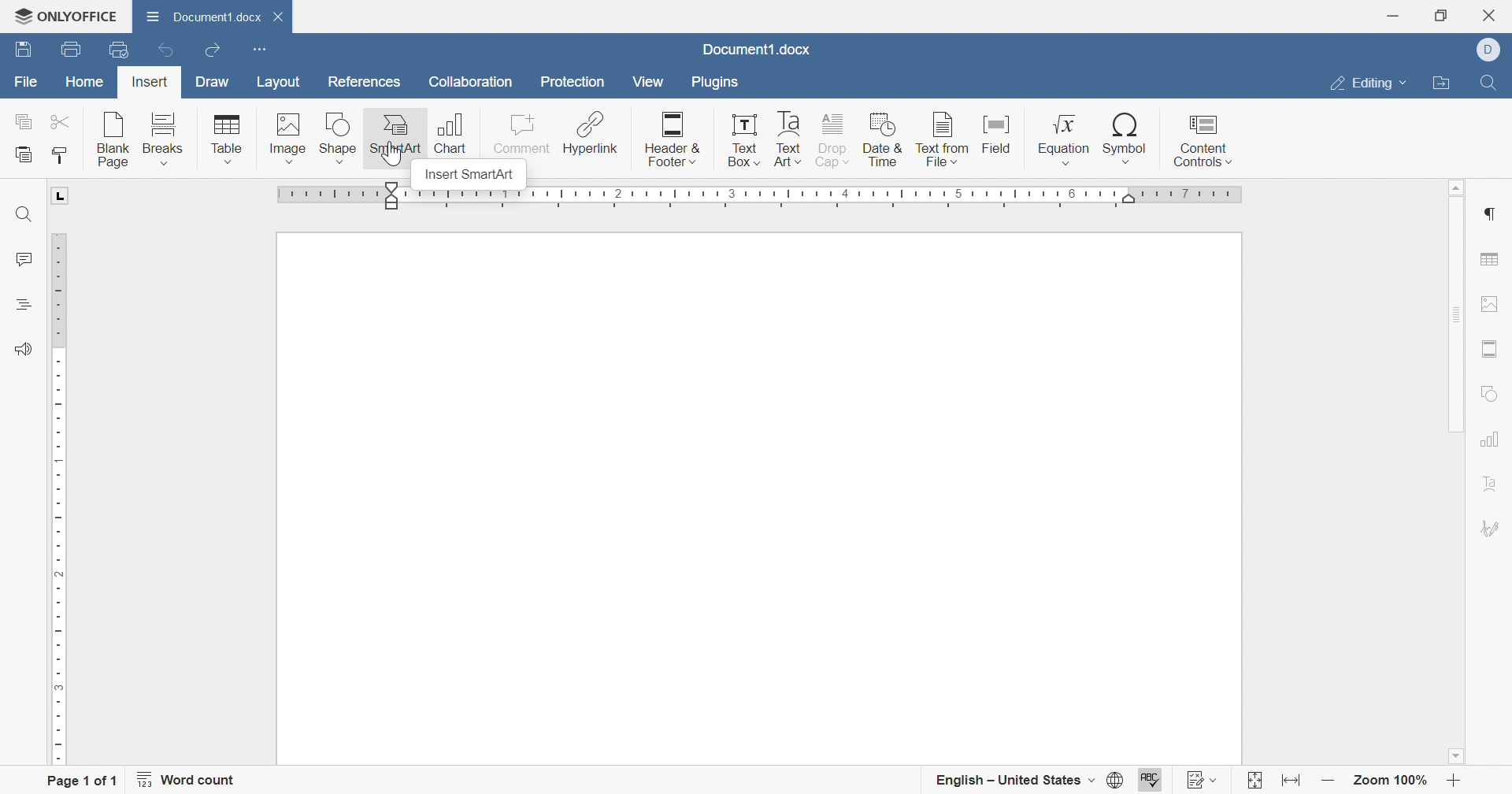 This screenshot has height=794, width=1512. Describe the element at coordinates (67, 50) in the screenshot. I see `Print file` at that location.